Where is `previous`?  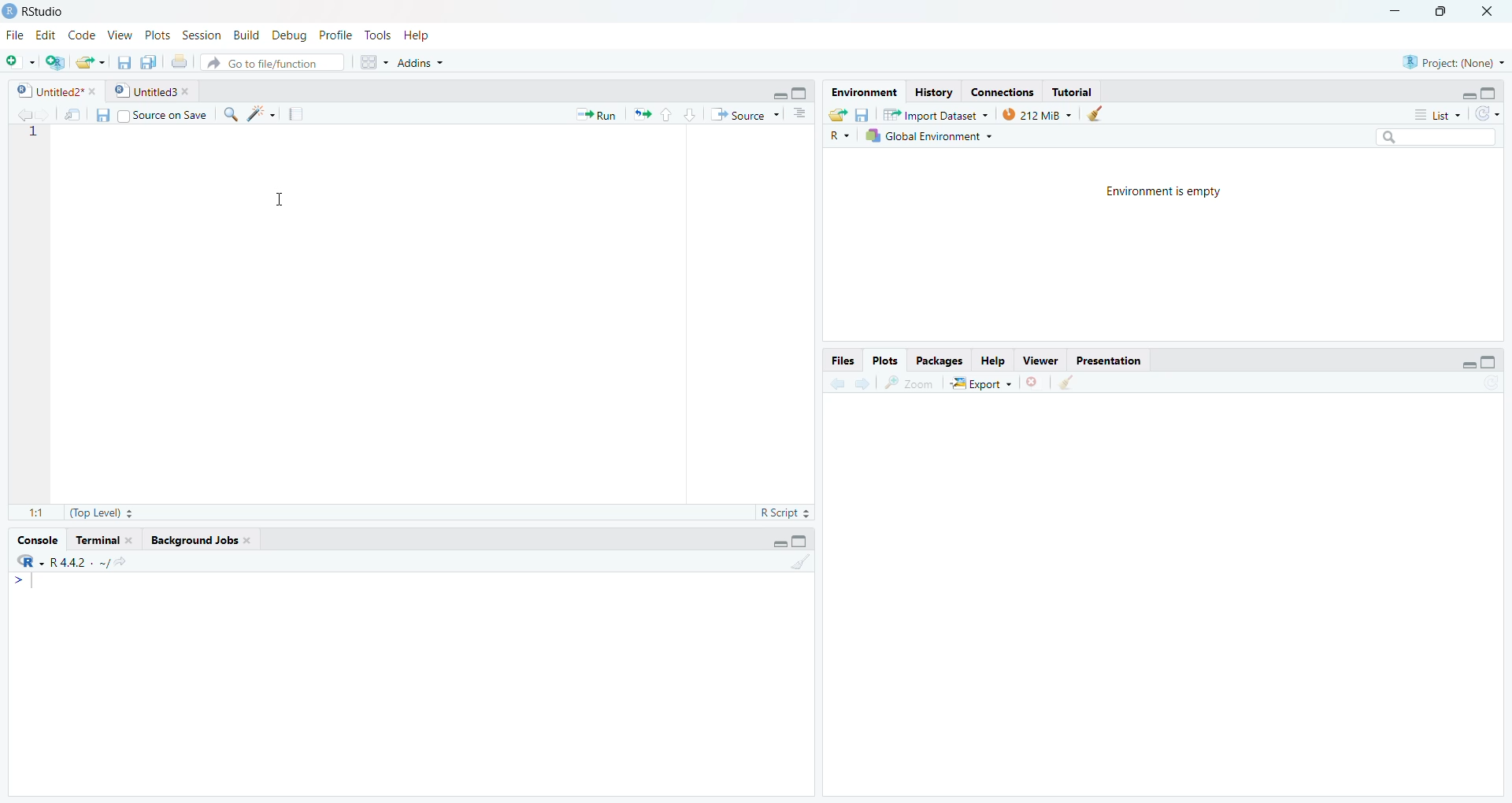 previous is located at coordinates (834, 383).